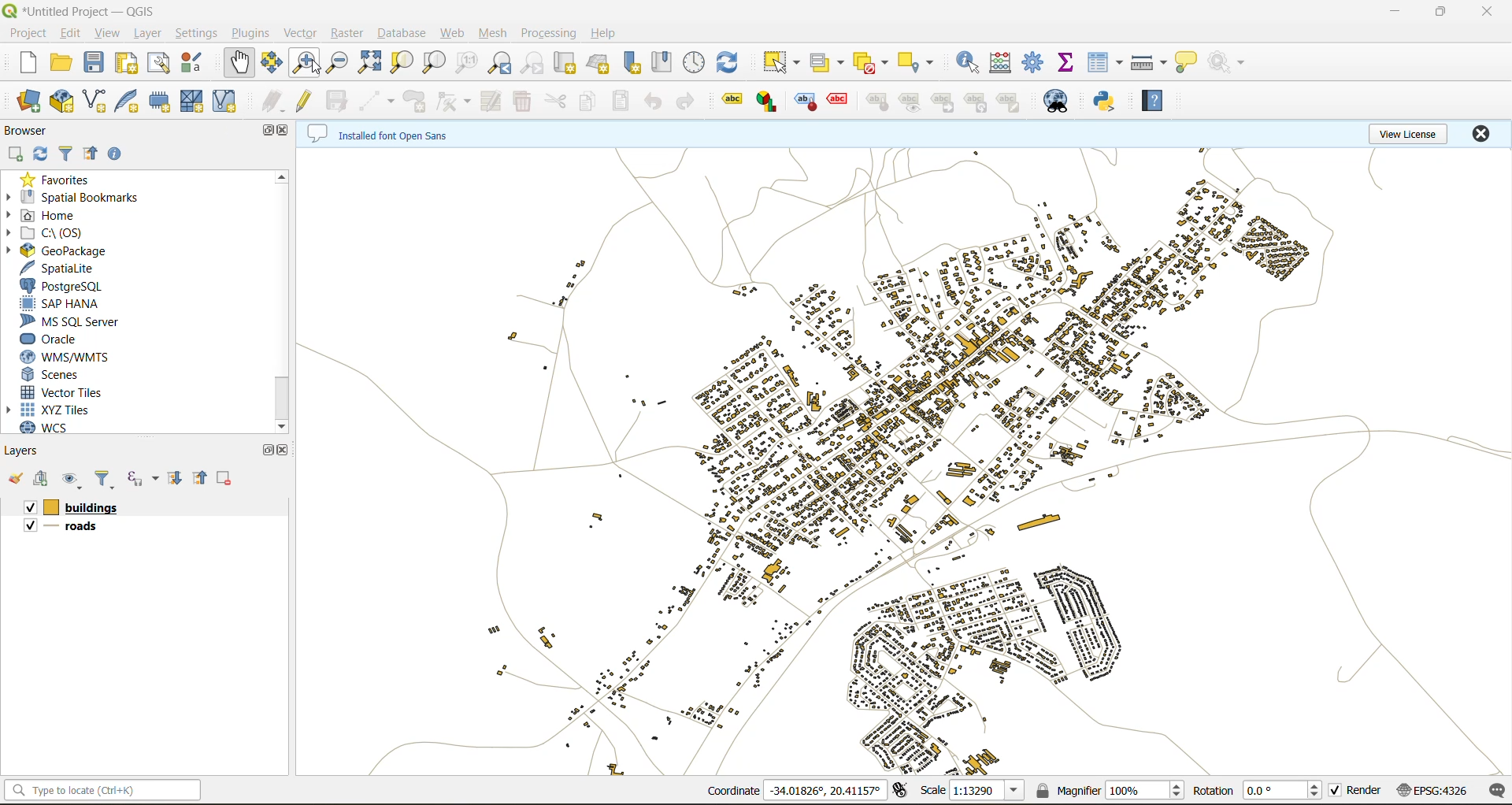 The width and height of the screenshot is (1512, 805). What do you see at coordinates (32, 65) in the screenshot?
I see `new` at bounding box center [32, 65].